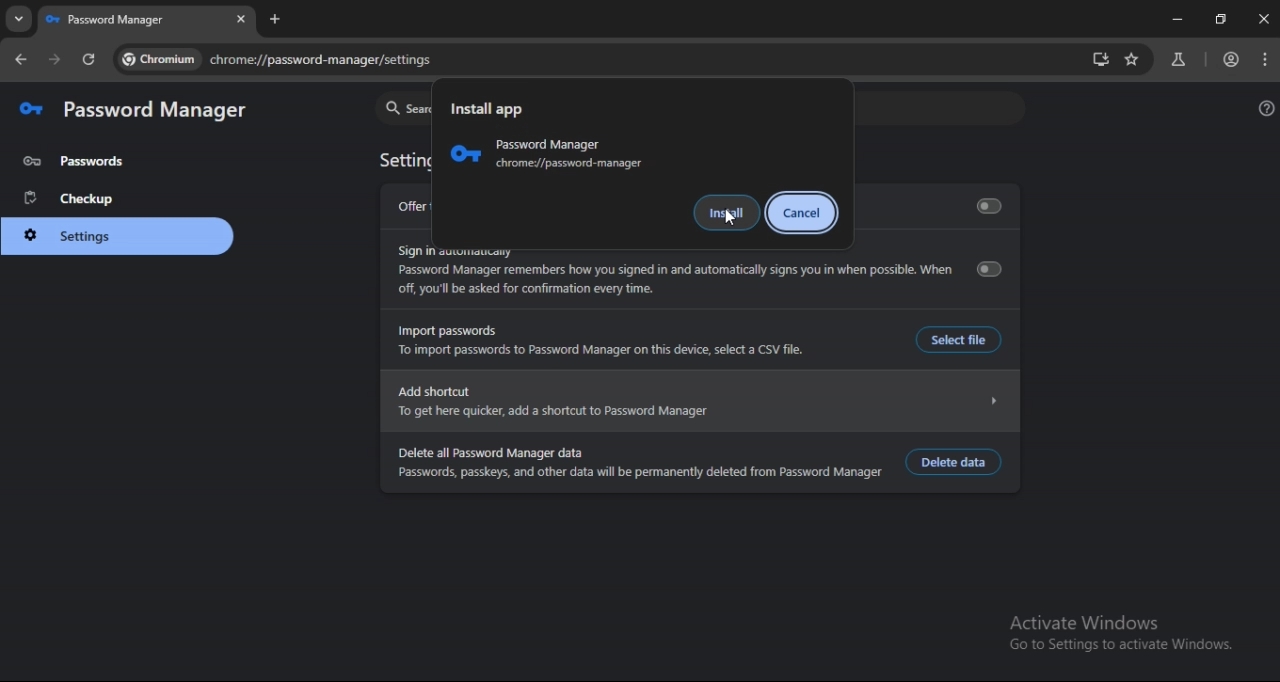  I want to click on settings, so click(76, 236).